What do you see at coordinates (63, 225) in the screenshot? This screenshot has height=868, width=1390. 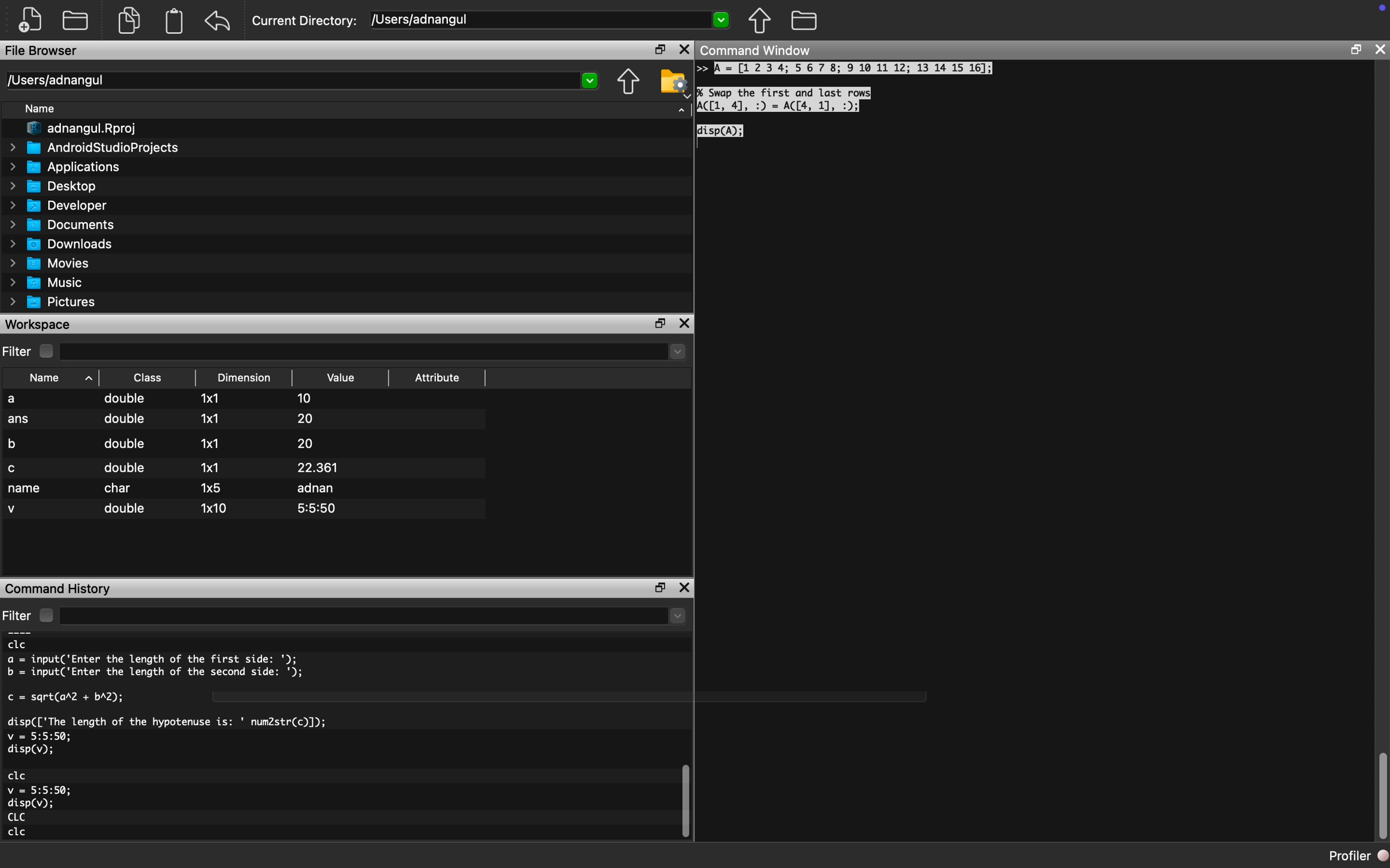 I see `> Documents` at bounding box center [63, 225].